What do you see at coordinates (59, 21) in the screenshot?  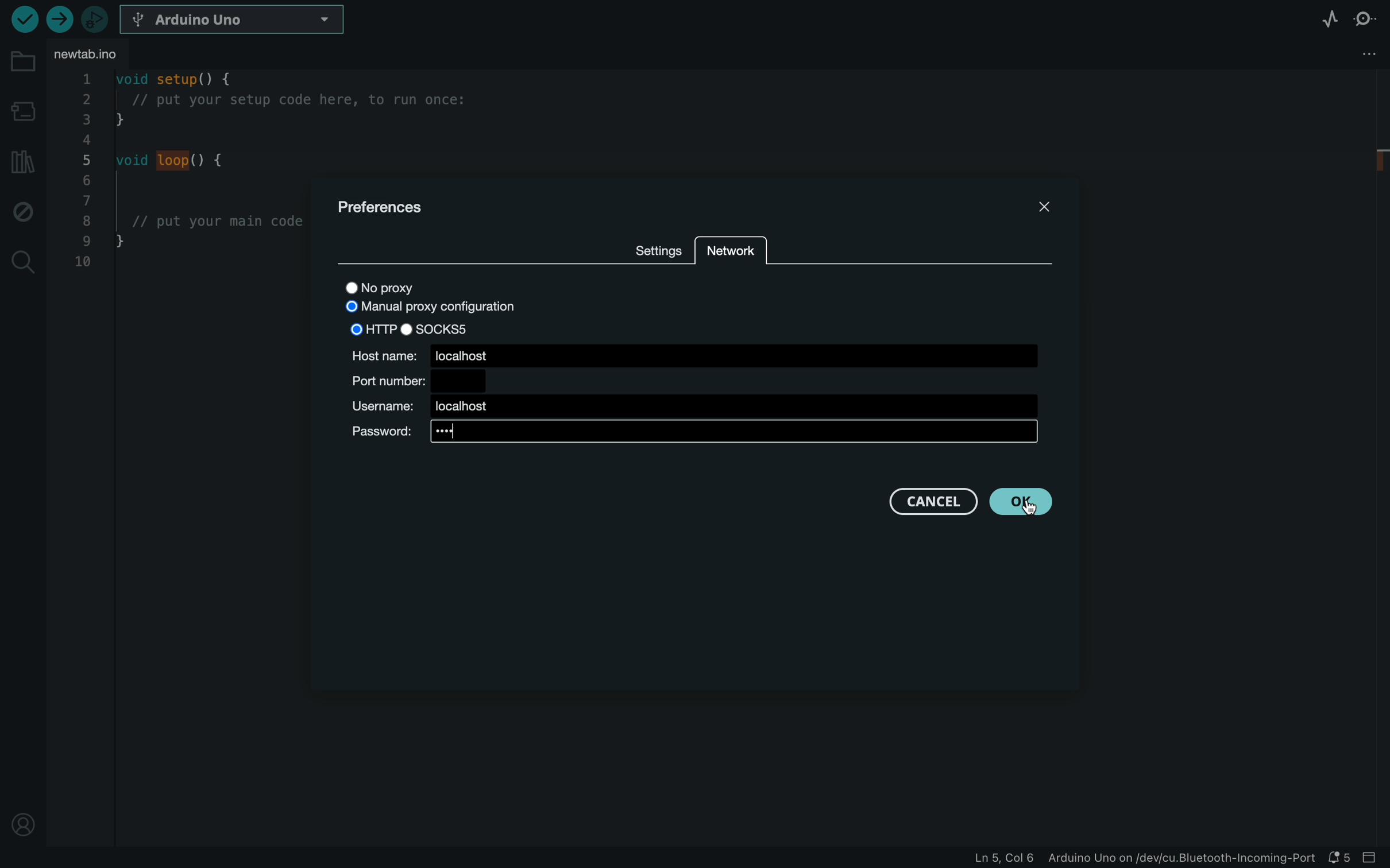 I see `upload` at bounding box center [59, 21].